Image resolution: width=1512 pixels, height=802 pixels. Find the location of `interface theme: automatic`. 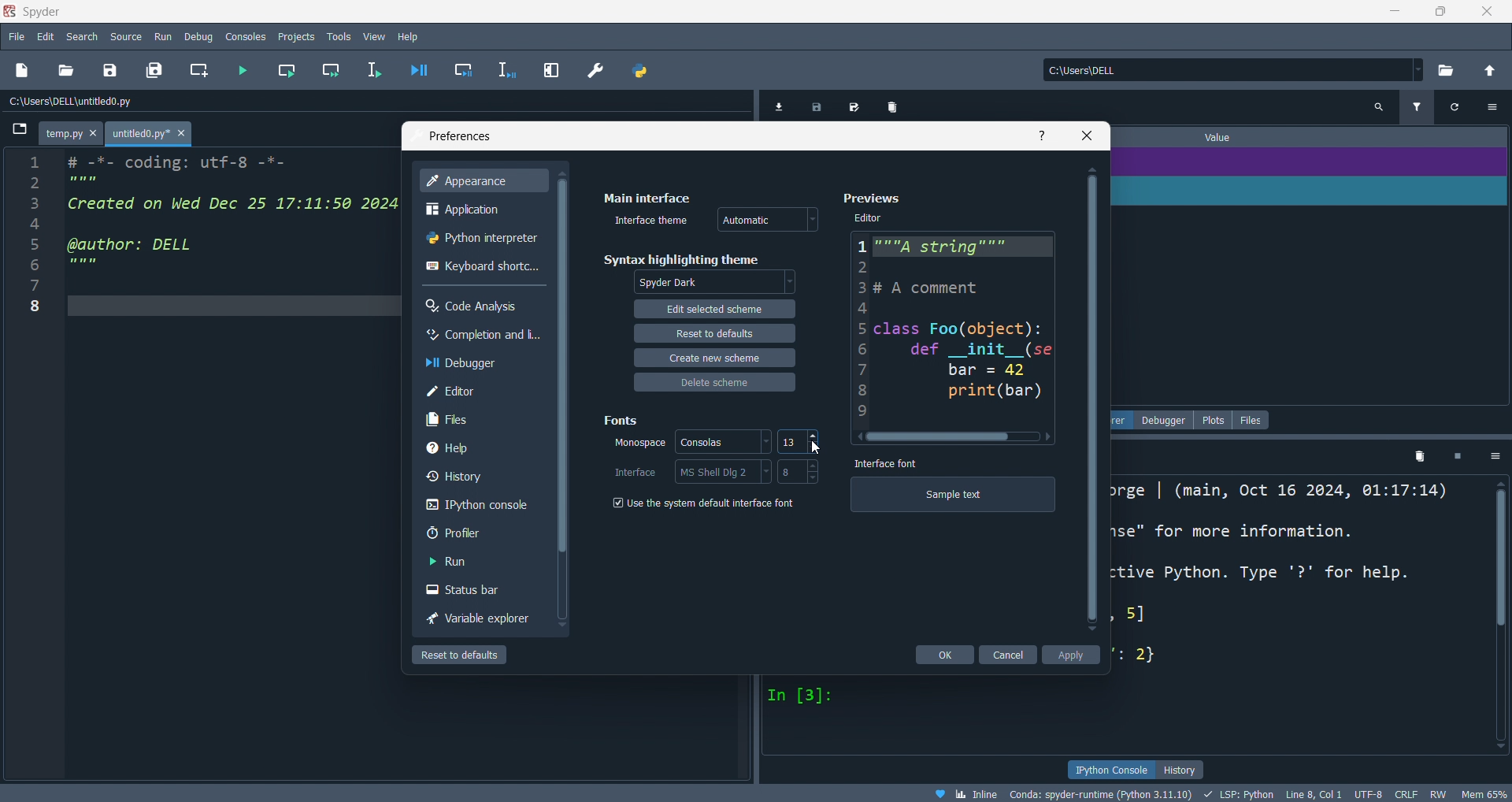

interface theme: automatic is located at coordinates (712, 220).